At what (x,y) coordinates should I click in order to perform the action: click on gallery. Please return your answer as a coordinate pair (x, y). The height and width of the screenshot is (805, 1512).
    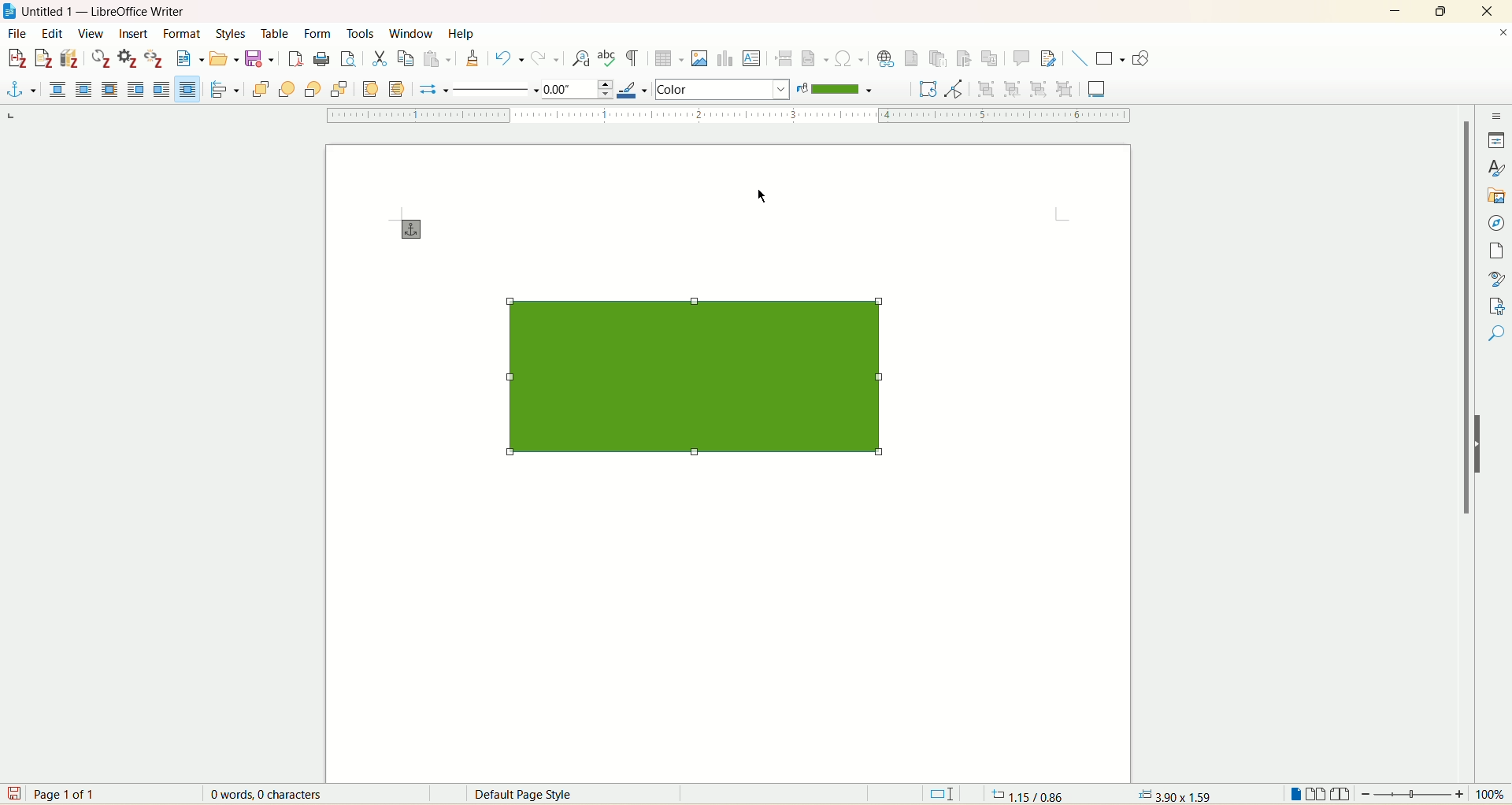
    Looking at the image, I should click on (1495, 197).